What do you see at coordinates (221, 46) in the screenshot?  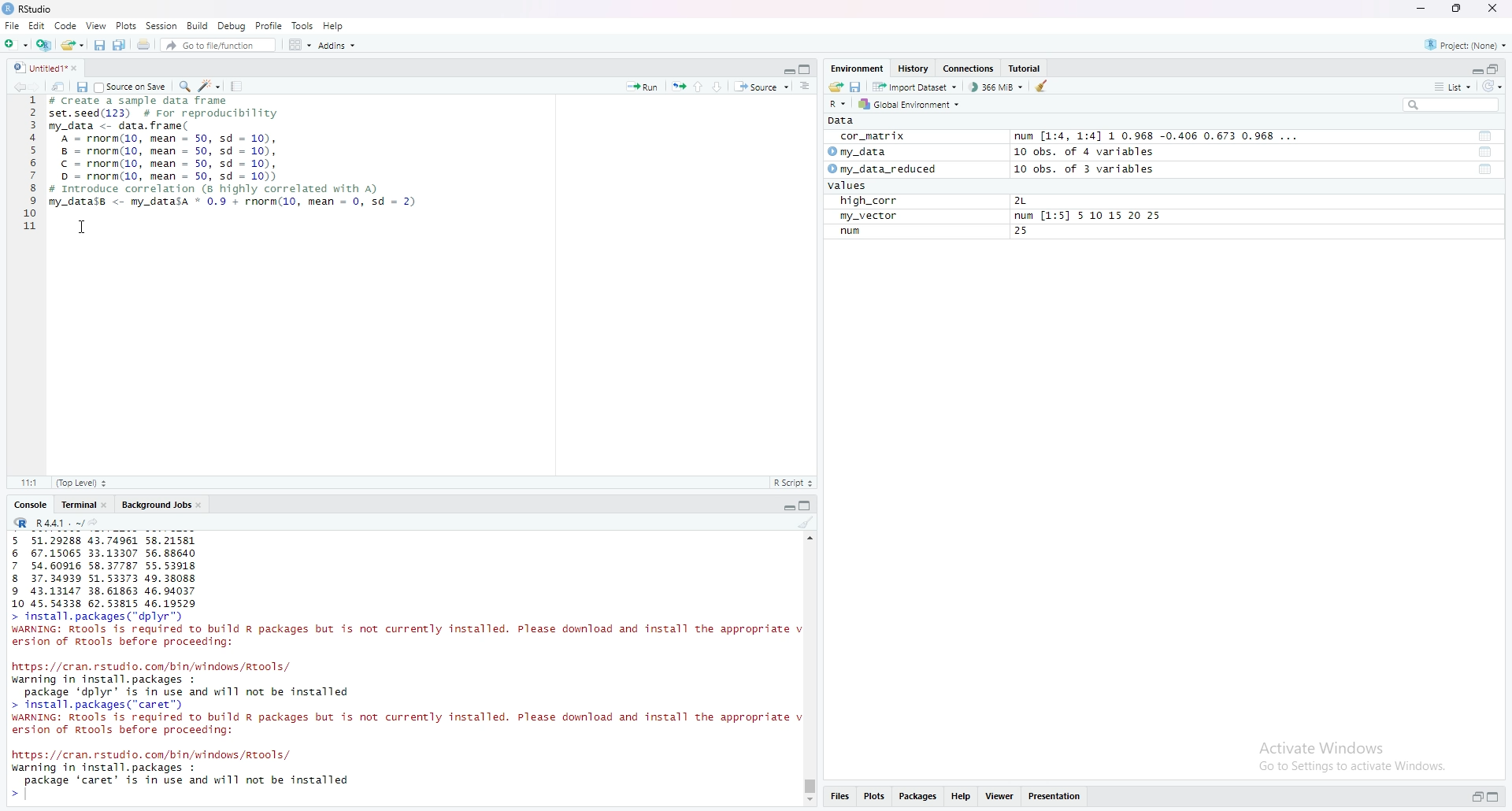 I see `Go to file/function ` at bounding box center [221, 46].